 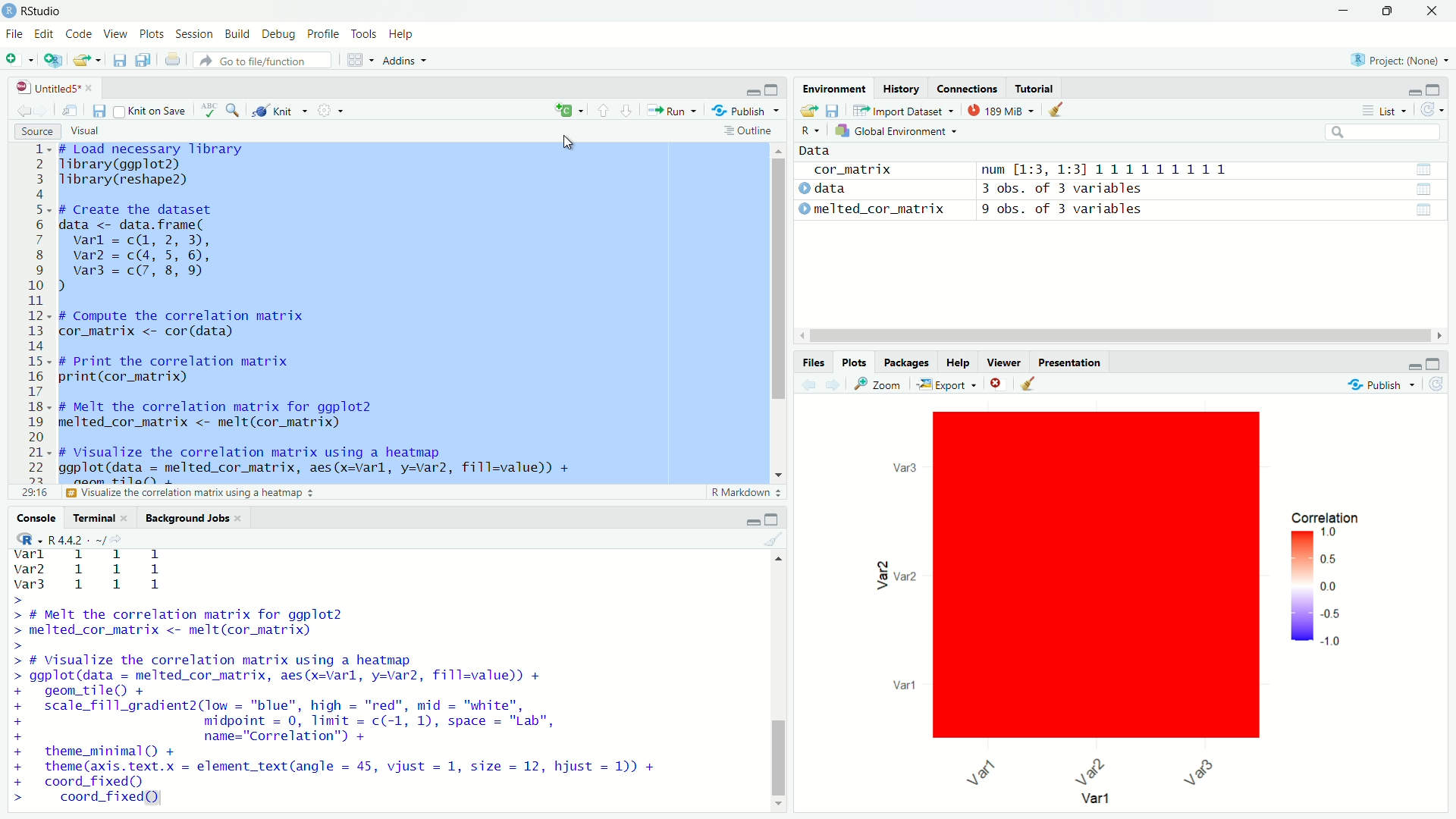 I want to click on # Load necessary library
Tibrary(ggplot2)
Tibrary(reshape2)
# Create the dataset
data <- data. frame(
varl = c(, 2, 3),
var2 = c(4, 5, 6),
var3 = c(7, 8, 9 I
)
# Compute the correlation matrix
cor_matrix <- cor (data)
# Print the correlation matrix
print(cor_matrix)
# Melt the correlation matrix for ggplot2
melted_cor_matrix <- melt(cor_matrix)
# Visualize the correlation matrix using a heatmap
ggplot(data = melted_cor_matrix, aes(x=varl, y=var2, fill=value)) +
noom +ilal), so click(x=362, y=315).